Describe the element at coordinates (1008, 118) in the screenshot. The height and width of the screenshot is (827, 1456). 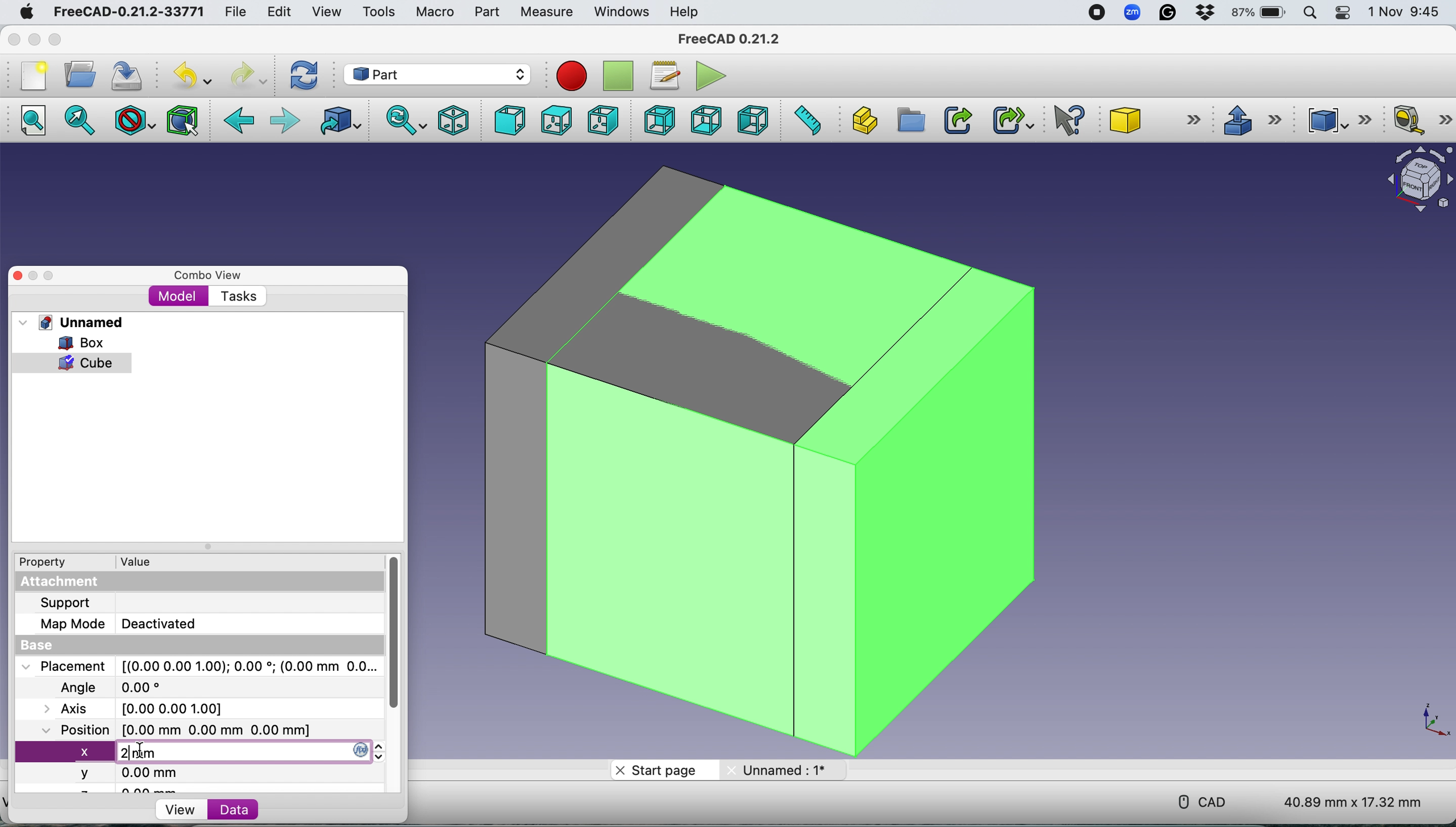
I see `Make sub link` at that location.